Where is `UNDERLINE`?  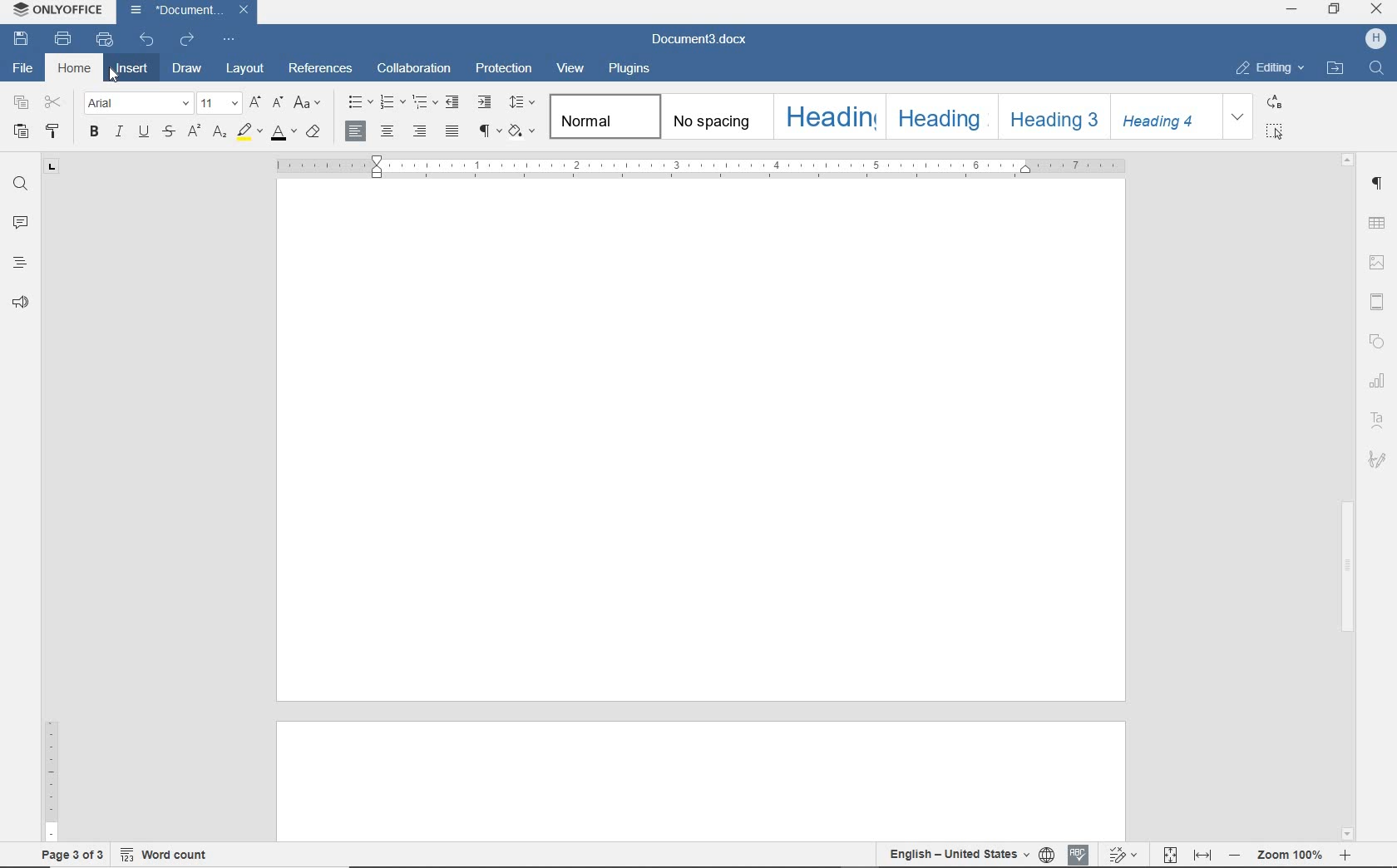
UNDERLINE is located at coordinates (142, 134).